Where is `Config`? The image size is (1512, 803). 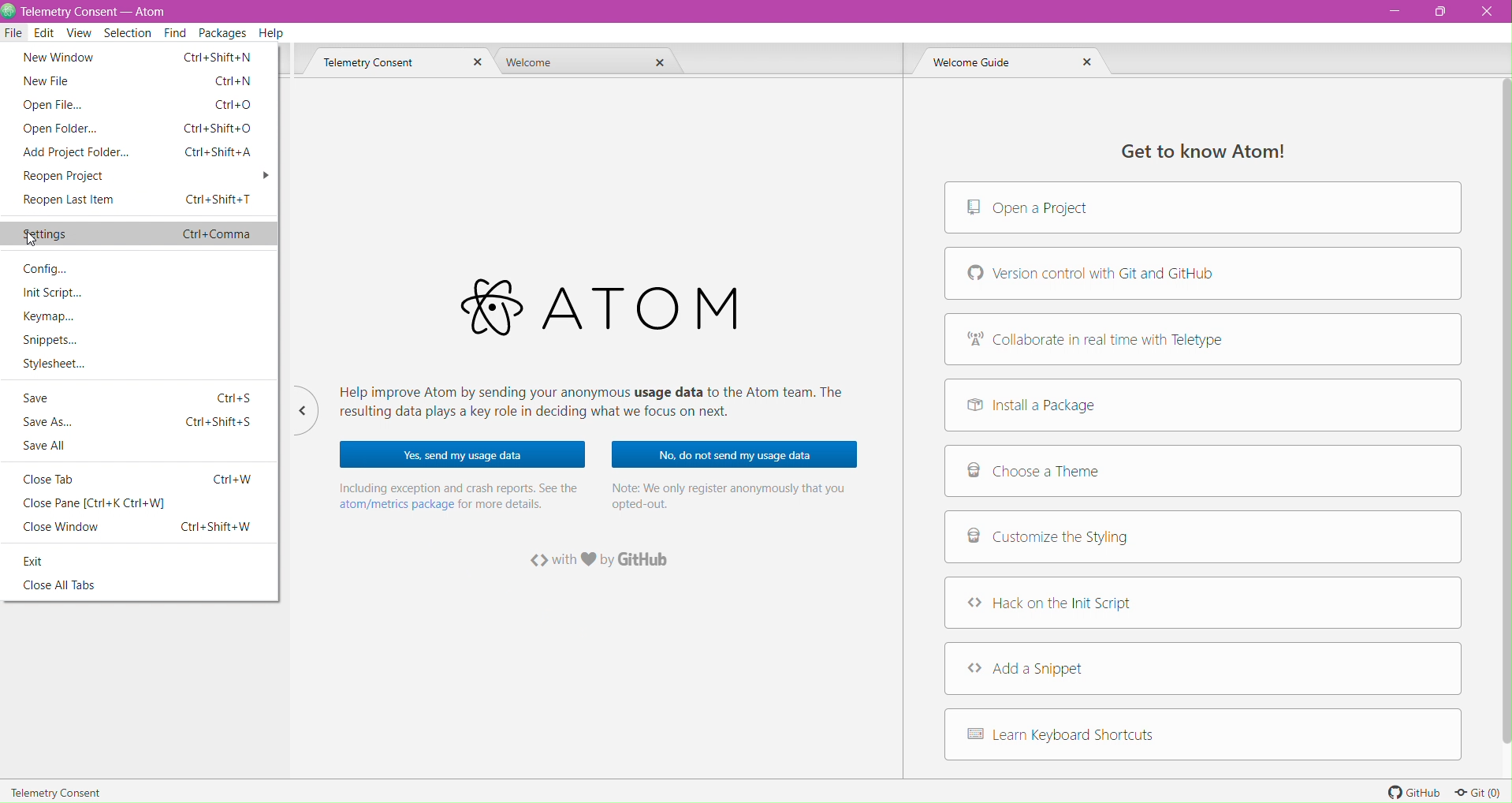 Config is located at coordinates (69, 270).